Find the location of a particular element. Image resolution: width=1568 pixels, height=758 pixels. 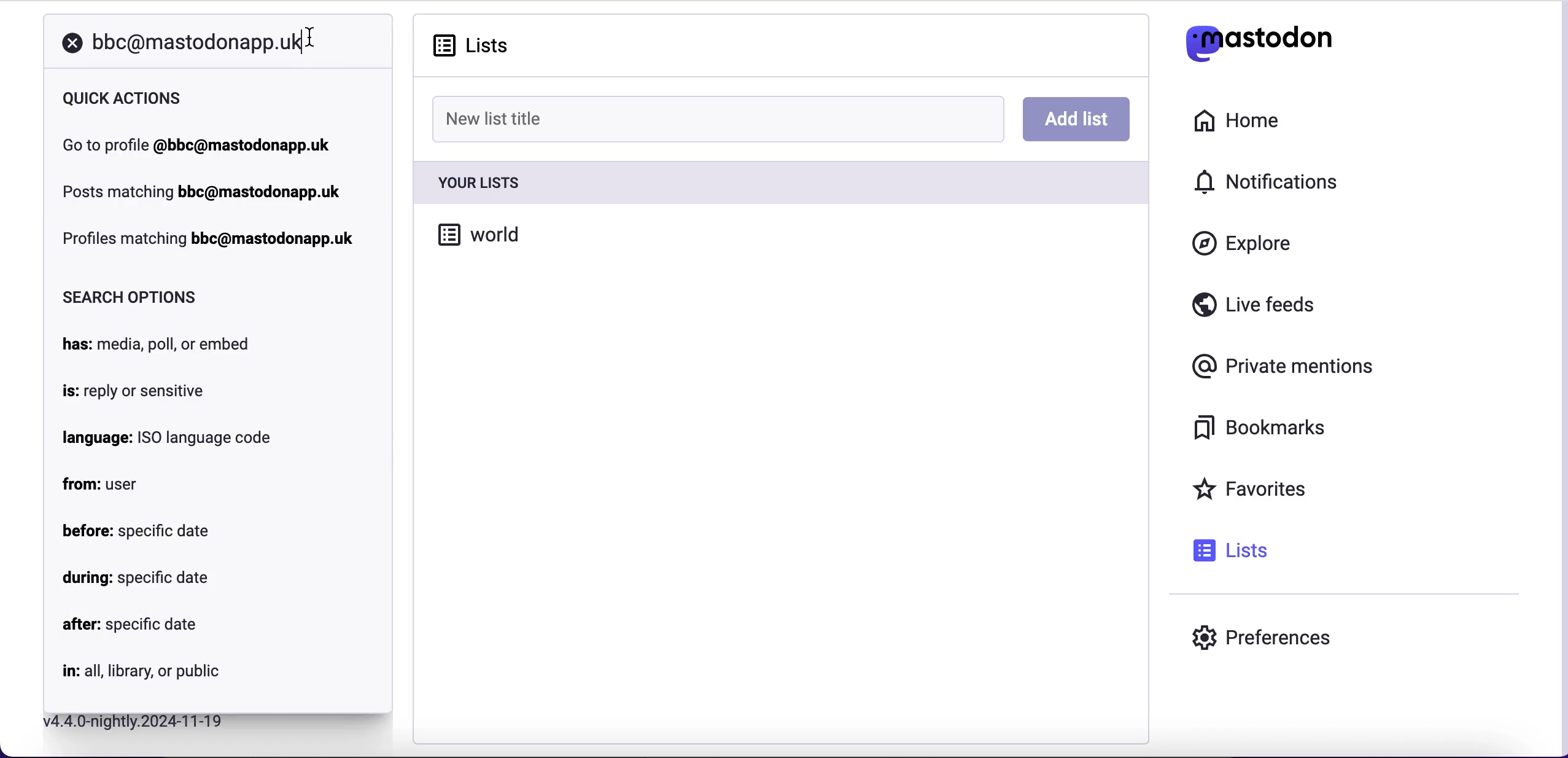

home is located at coordinates (1234, 121).